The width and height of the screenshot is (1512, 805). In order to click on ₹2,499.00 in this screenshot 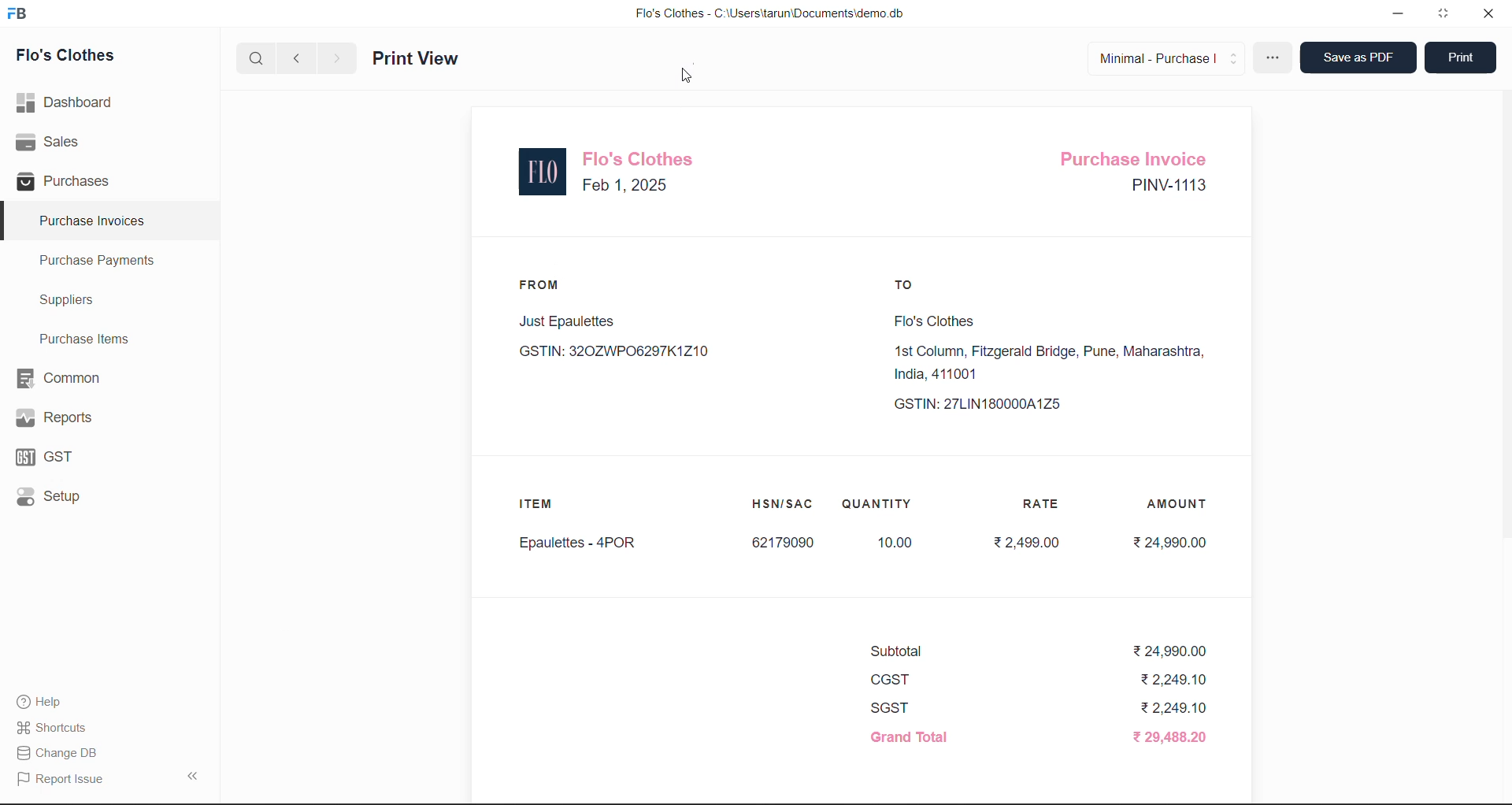, I will do `click(1031, 543)`.